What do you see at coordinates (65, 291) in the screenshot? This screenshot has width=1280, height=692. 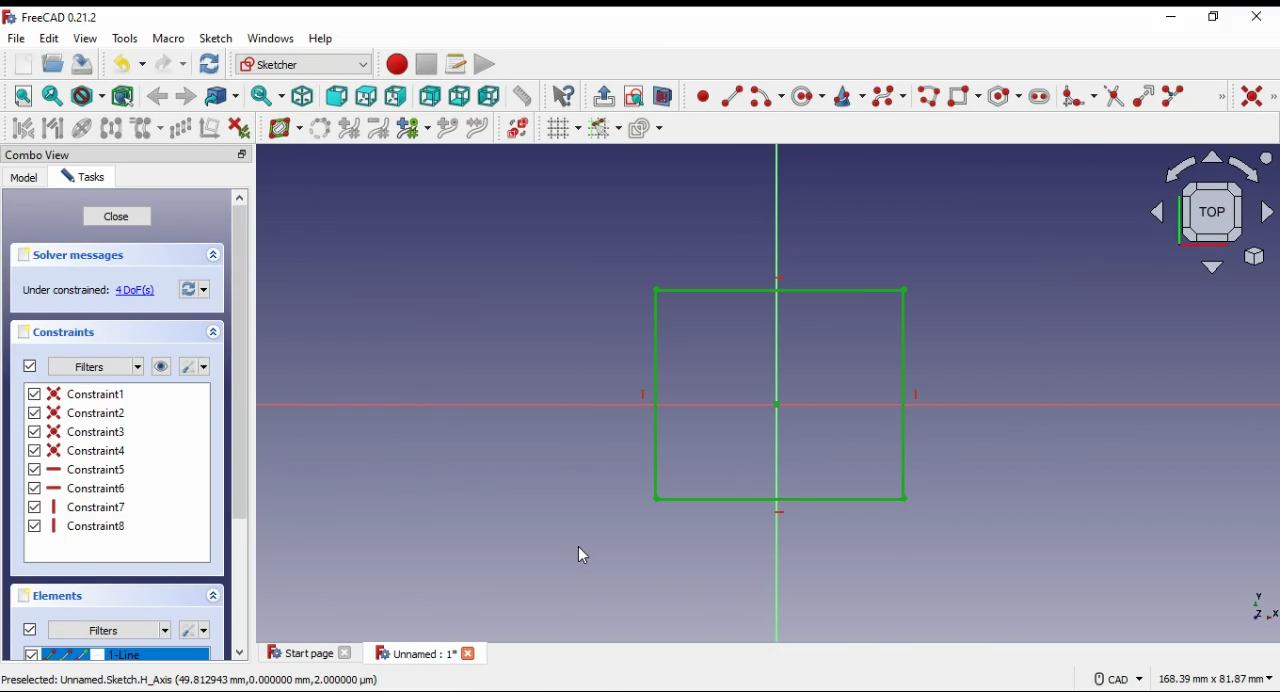 I see `‘Under constrained:` at bounding box center [65, 291].